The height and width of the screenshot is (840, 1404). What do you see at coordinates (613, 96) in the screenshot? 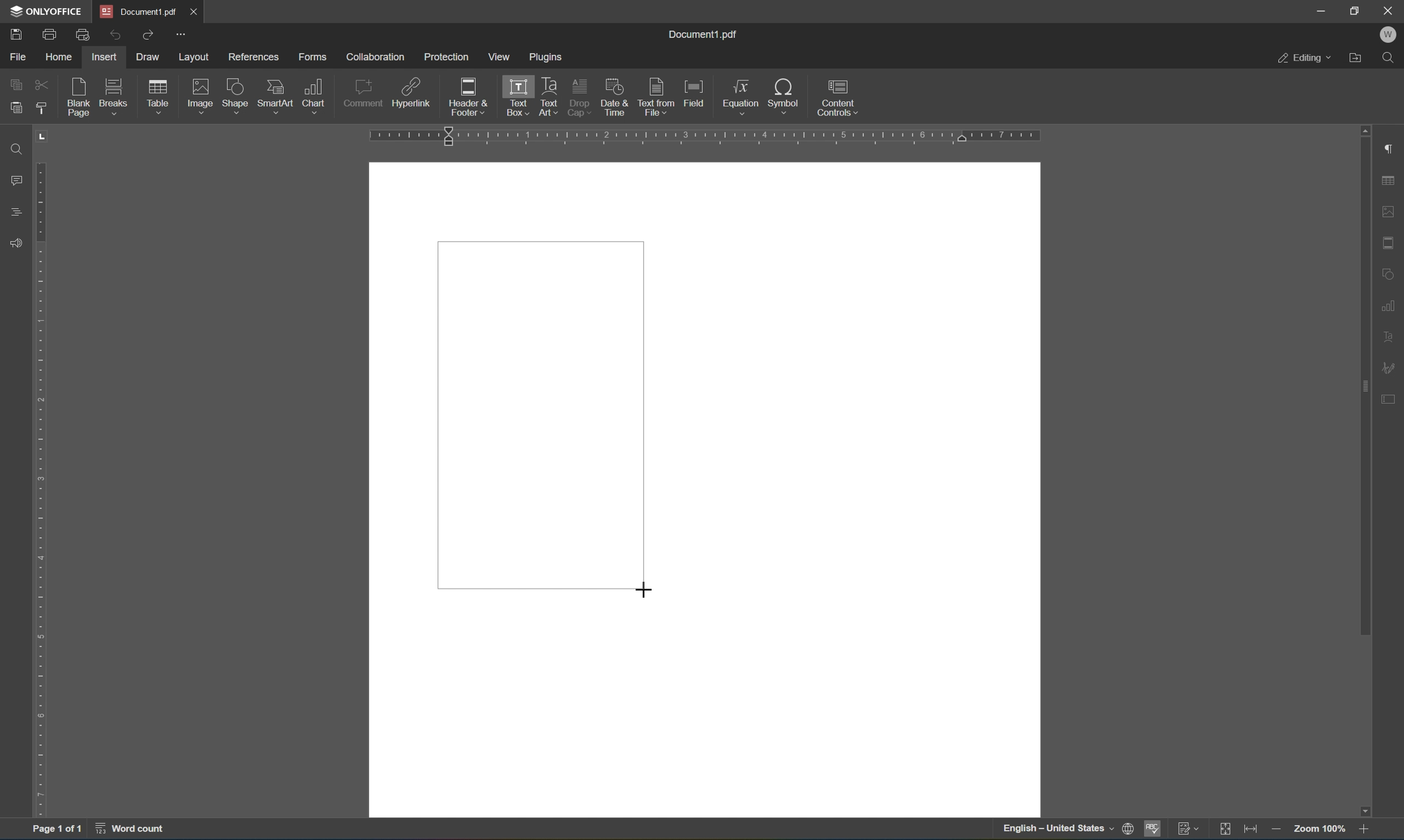
I see `insert current date and time` at bounding box center [613, 96].